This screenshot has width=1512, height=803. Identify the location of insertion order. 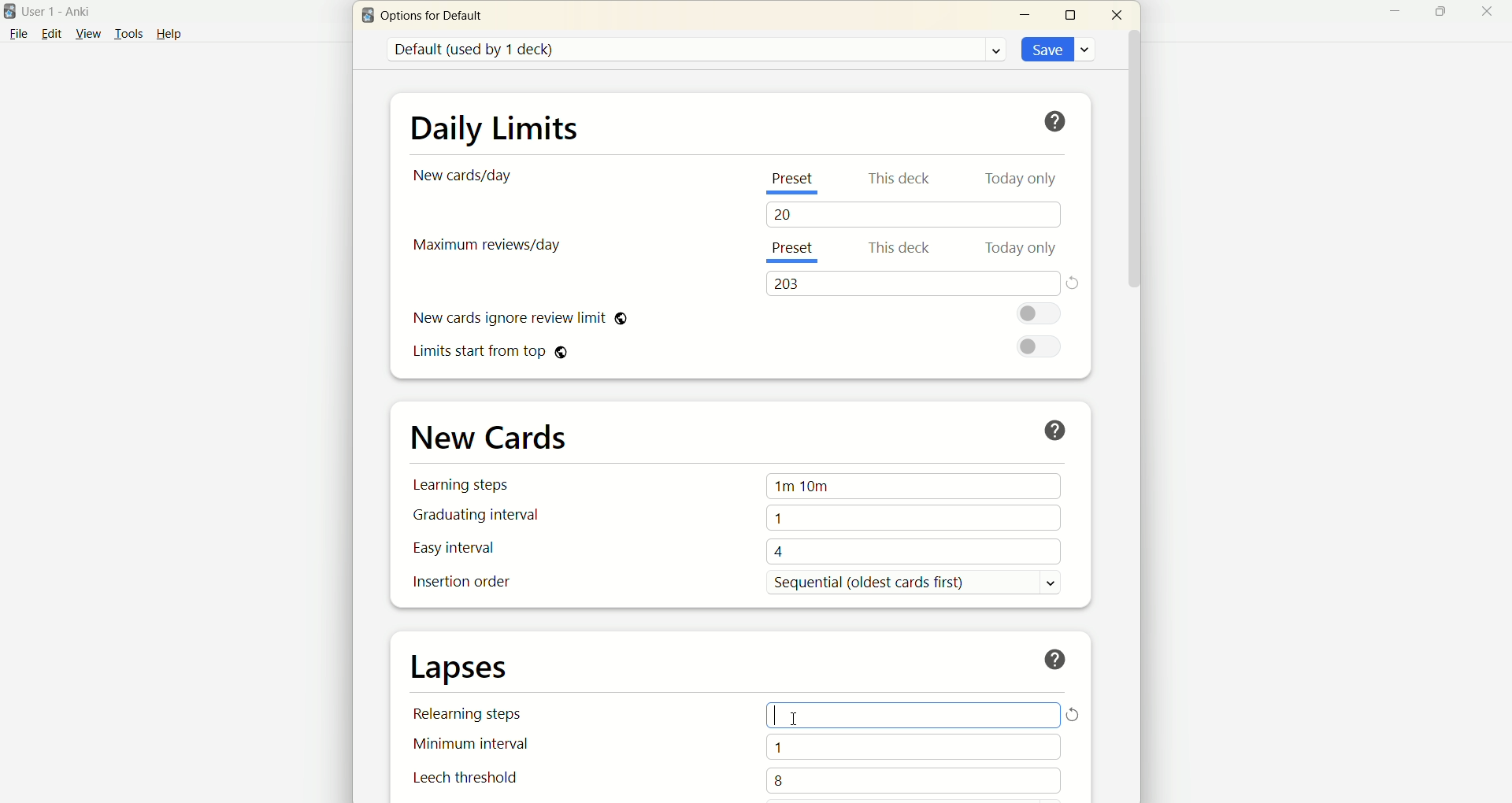
(460, 583).